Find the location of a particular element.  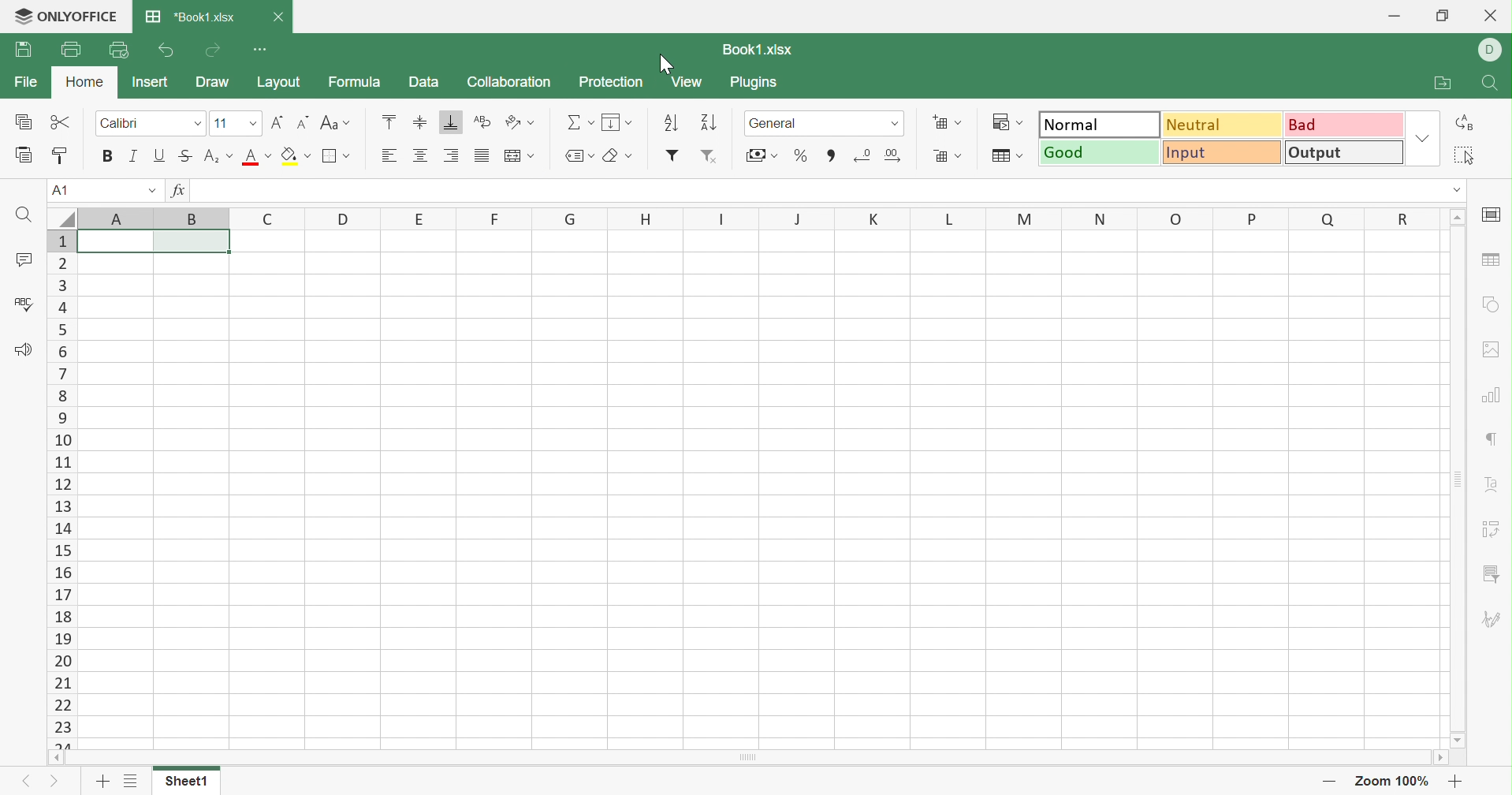

Scroll Bar is located at coordinates (746, 760).